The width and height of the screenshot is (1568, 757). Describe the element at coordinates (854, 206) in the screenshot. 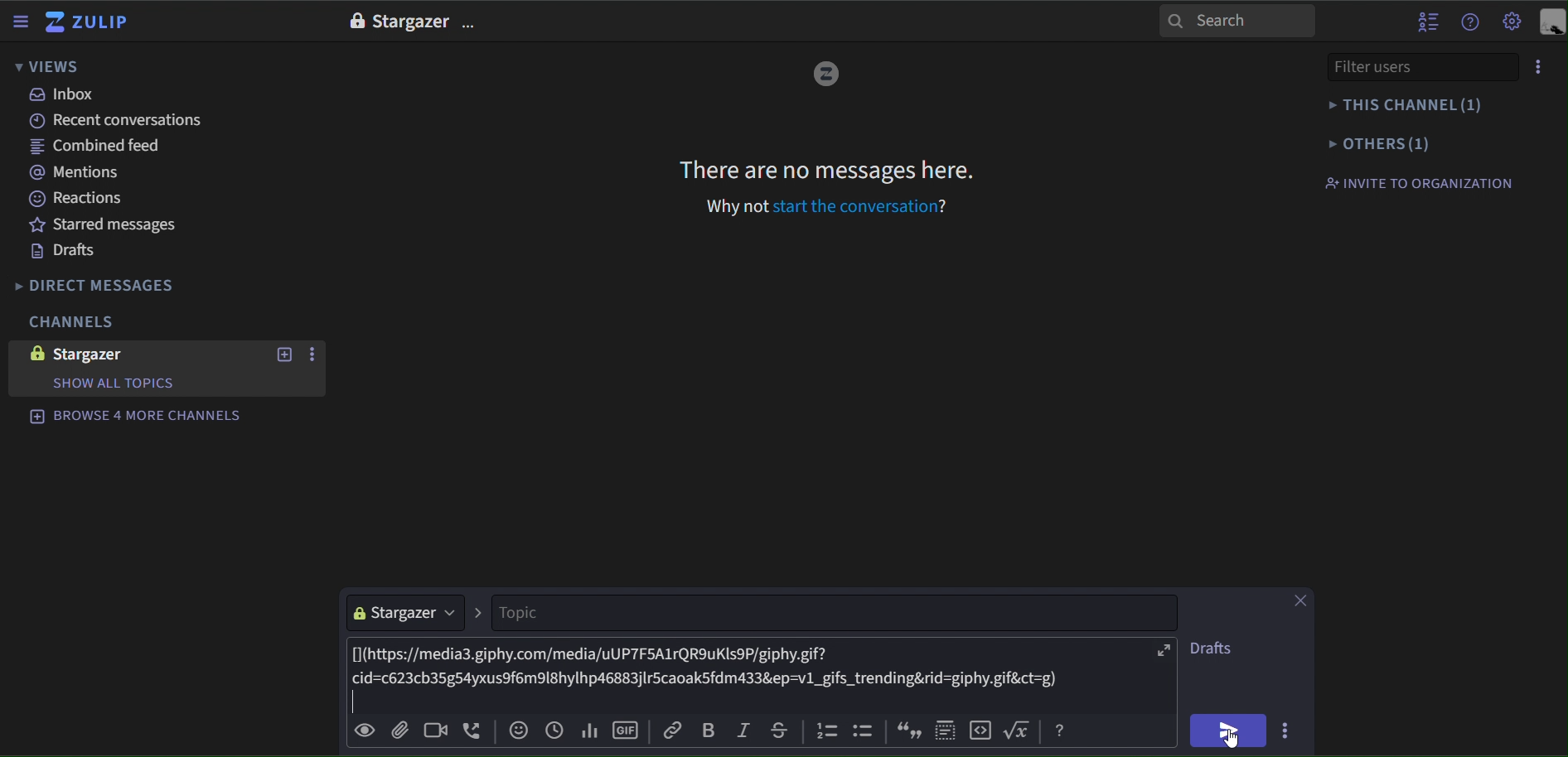

I see `start the conversation` at that location.